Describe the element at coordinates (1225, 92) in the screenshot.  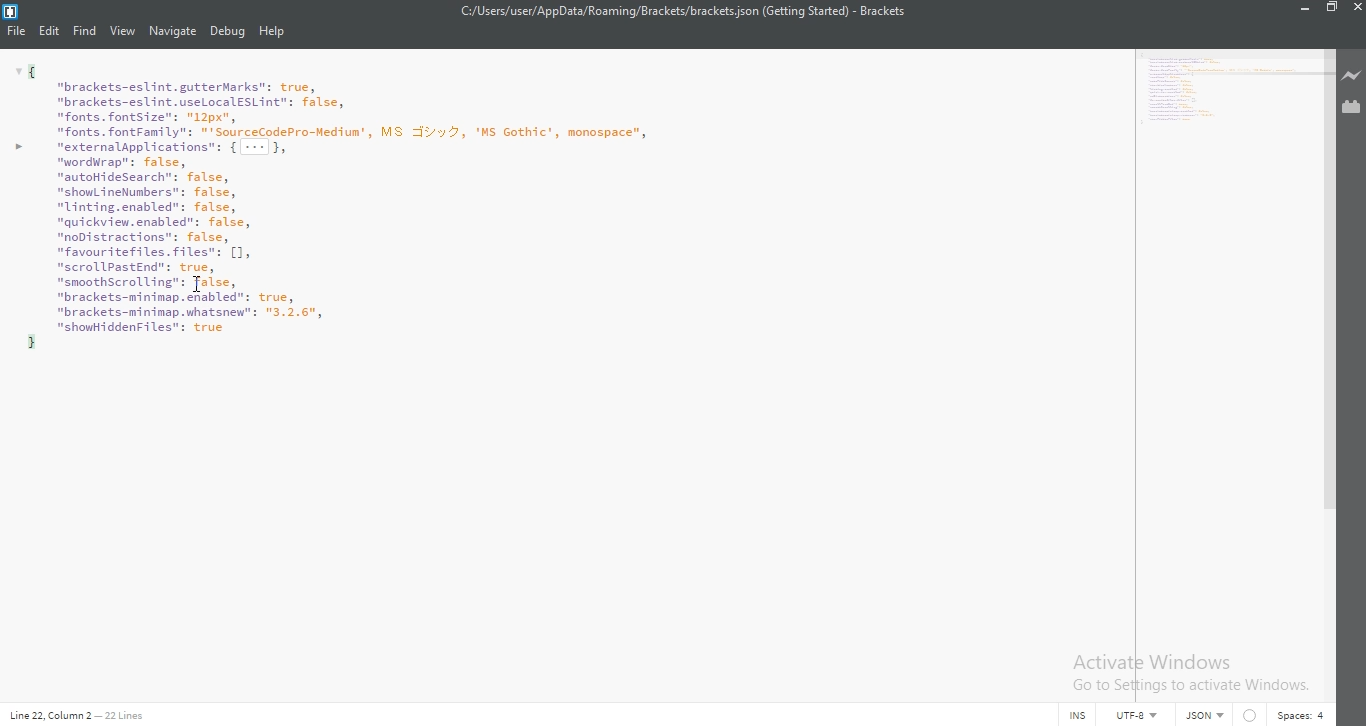
I see `M | "brackets-eslint. gutterMarks": true, "brackets-eslint.useLocalESLint": false, fonts. fontSize": "1px", fonts. fontFamily": "'SourceCodePro-Hediua', MS TJ'y%, 'MS Gothic’, monospace”, > externalapplications™: { ---|}, "wordurap": false, “autoHideSearch”: false, "showLineNumbers": false, "Linting.enabled": false, “quickview.cnabled”: false, "noDistractions": false, "favouritefiles. Files": [1, "scrollPastEnd": true, "smoothScrol ling”: false, "brackets-mininap. enabled": true, "brackets-mininap.whatsnew": "3.2.6", "showiddenFiles": true H` at that location.